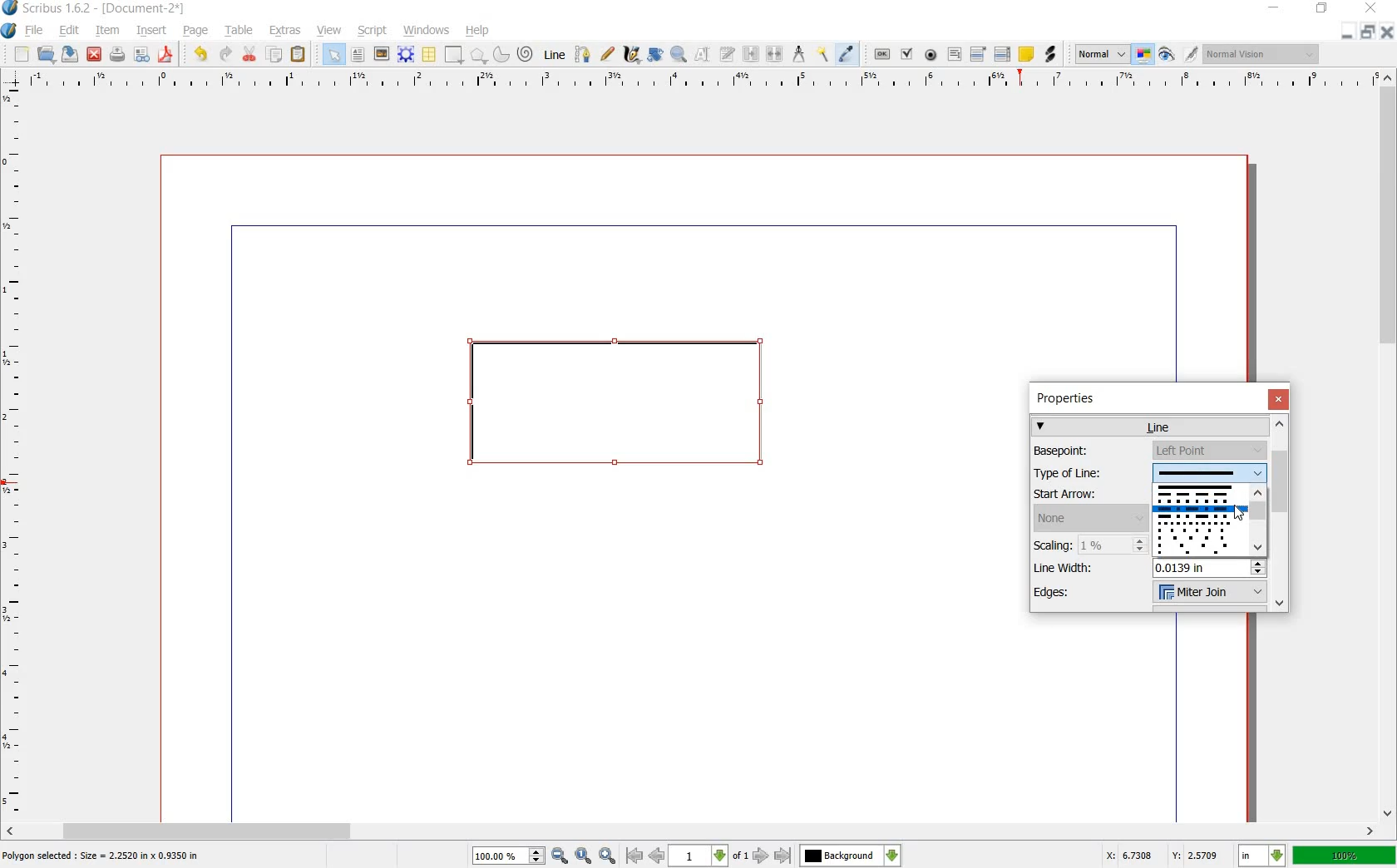 This screenshot has height=868, width=1397. Describe the element at coordinates (751, 55) in the screenshot. I see `LINK TEXT FRAMES` at that location.